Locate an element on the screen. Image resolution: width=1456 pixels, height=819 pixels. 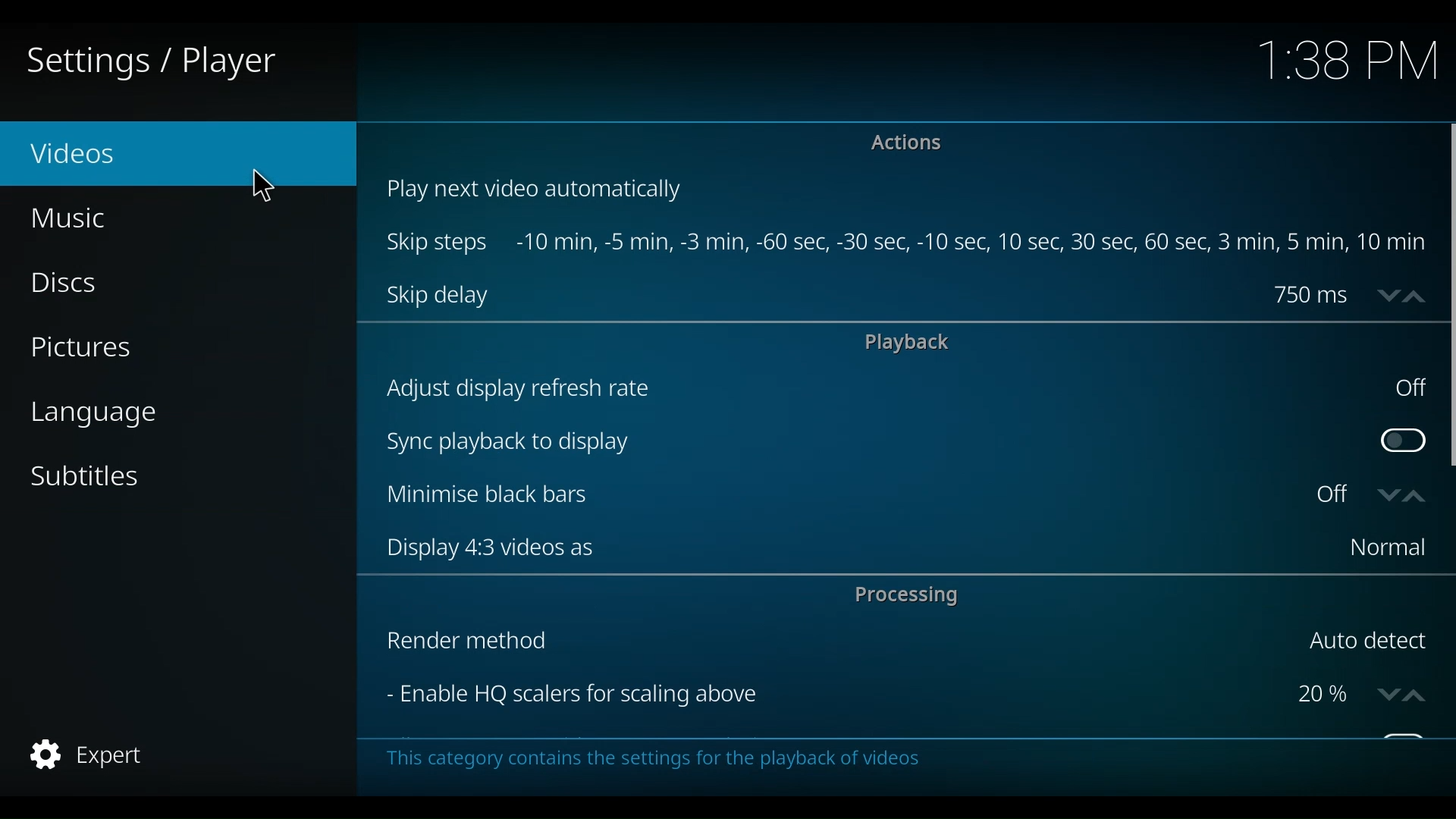
up is located at coordinates (1413, 695).